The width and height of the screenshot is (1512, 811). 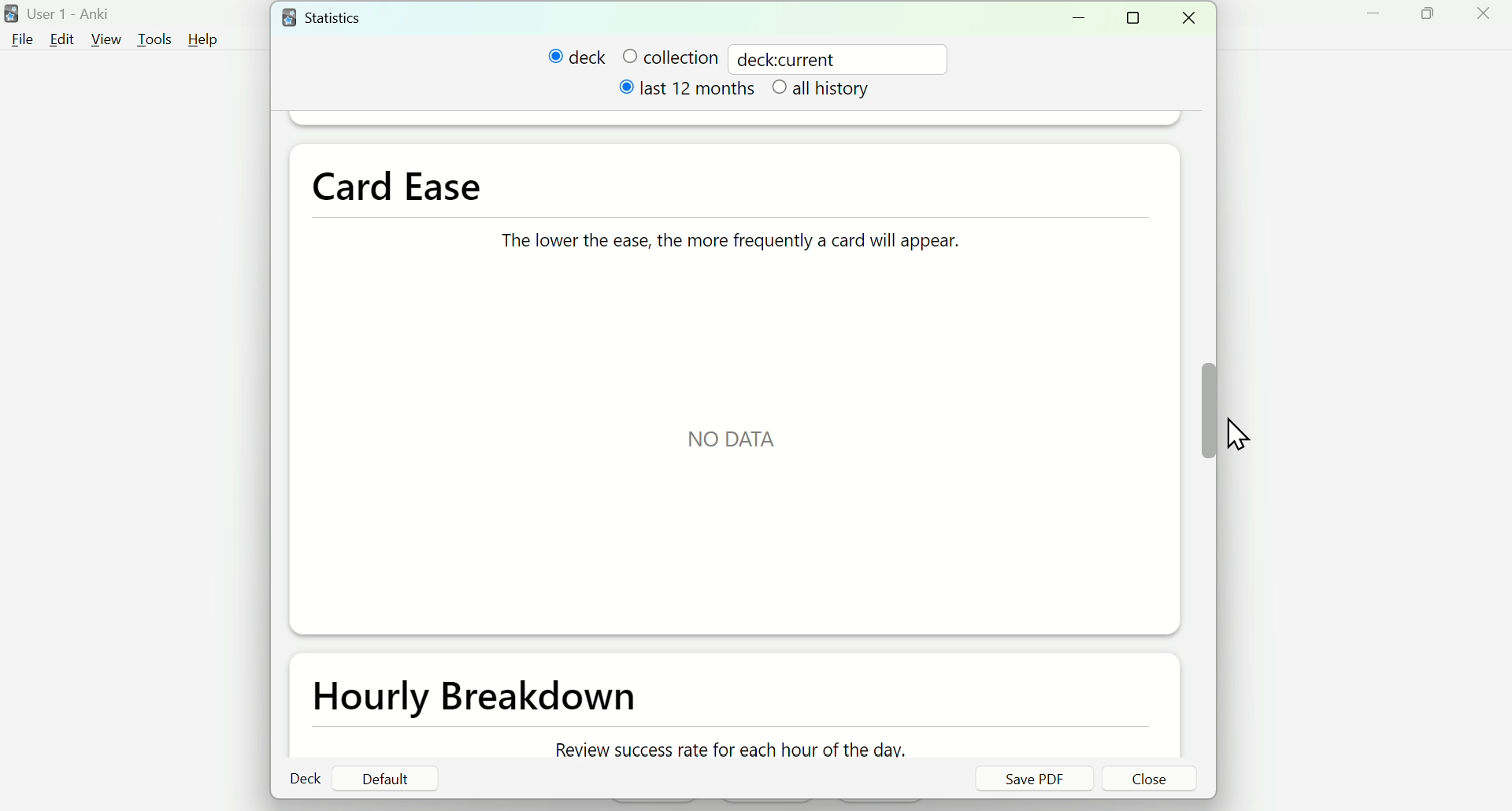 What do you see at coordinates (1238, 427) in the screenshot?
I see `cursor` at bounding box center [1238, 427].